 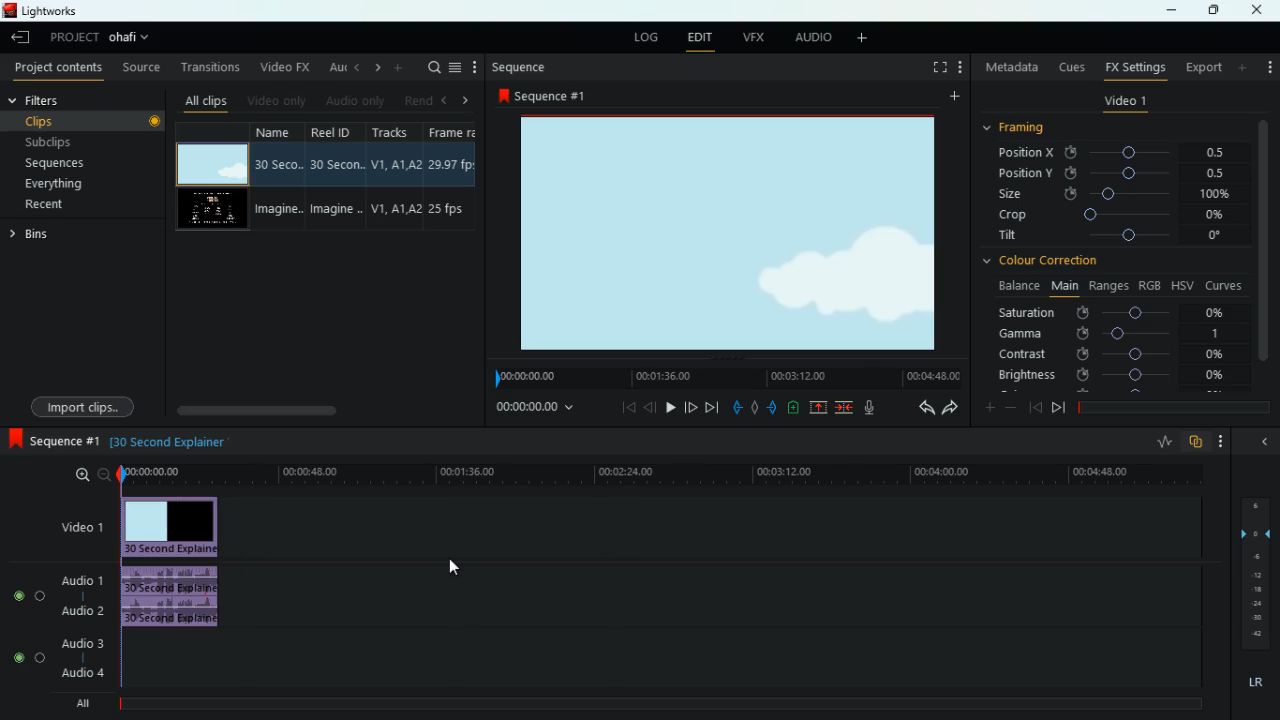 I want to click on 6 (layer), so click(x=1254, y=503).